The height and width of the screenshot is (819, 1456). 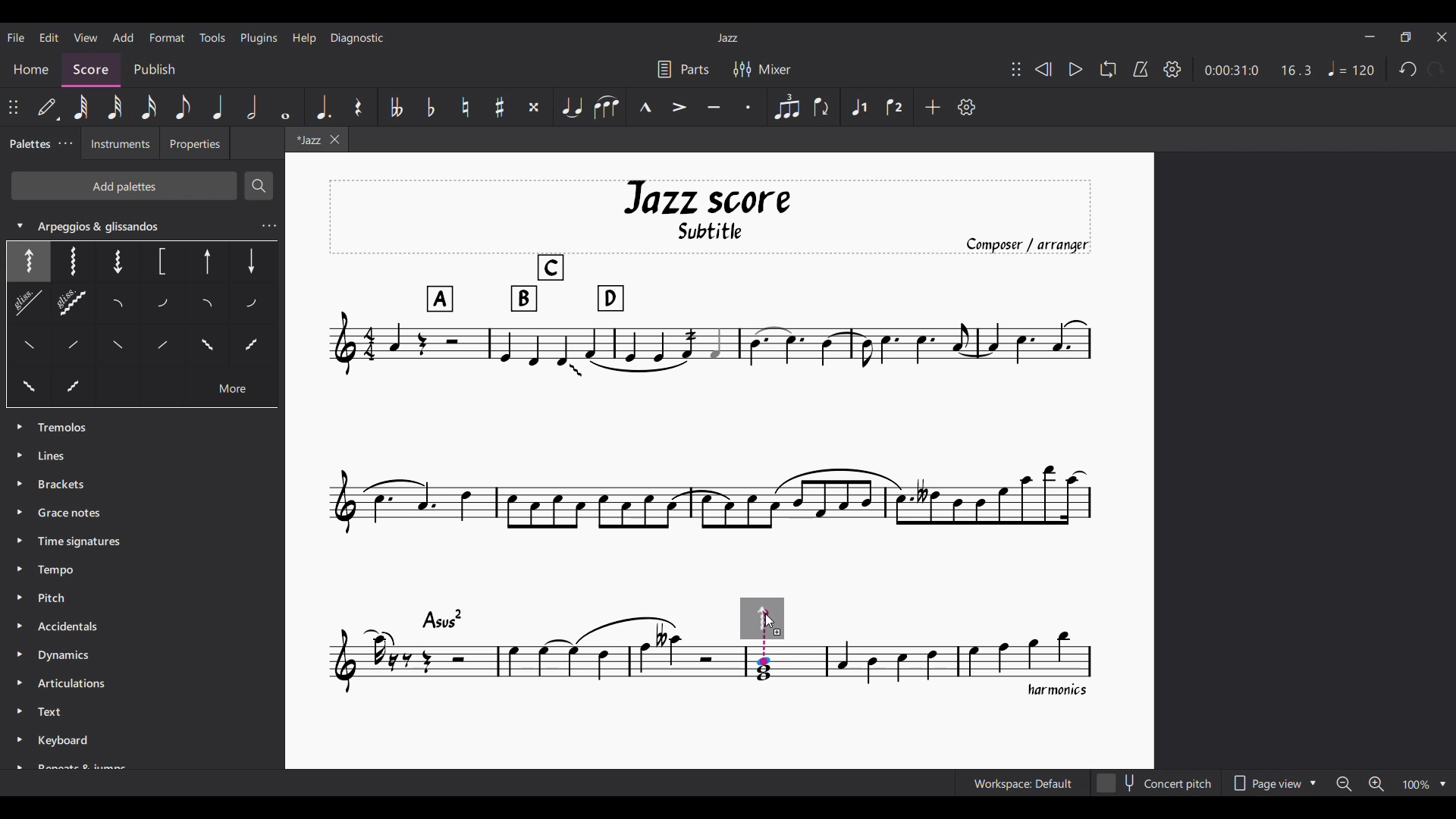 I want to click on Redo, so click(x=1436, y=69).